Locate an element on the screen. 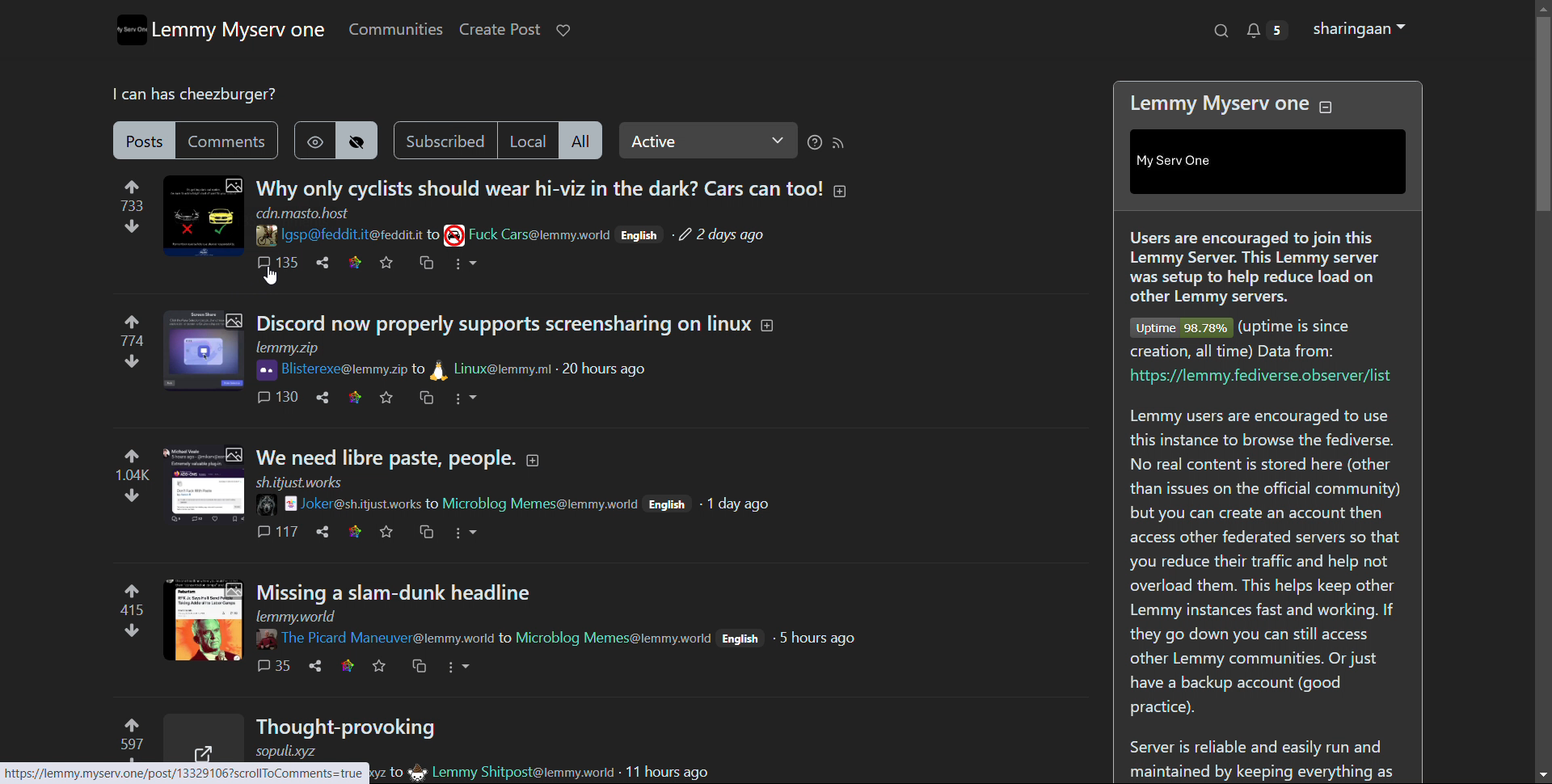 This screenshot has width=1552, height=784. collapse is located at coordinates (1326, 108).